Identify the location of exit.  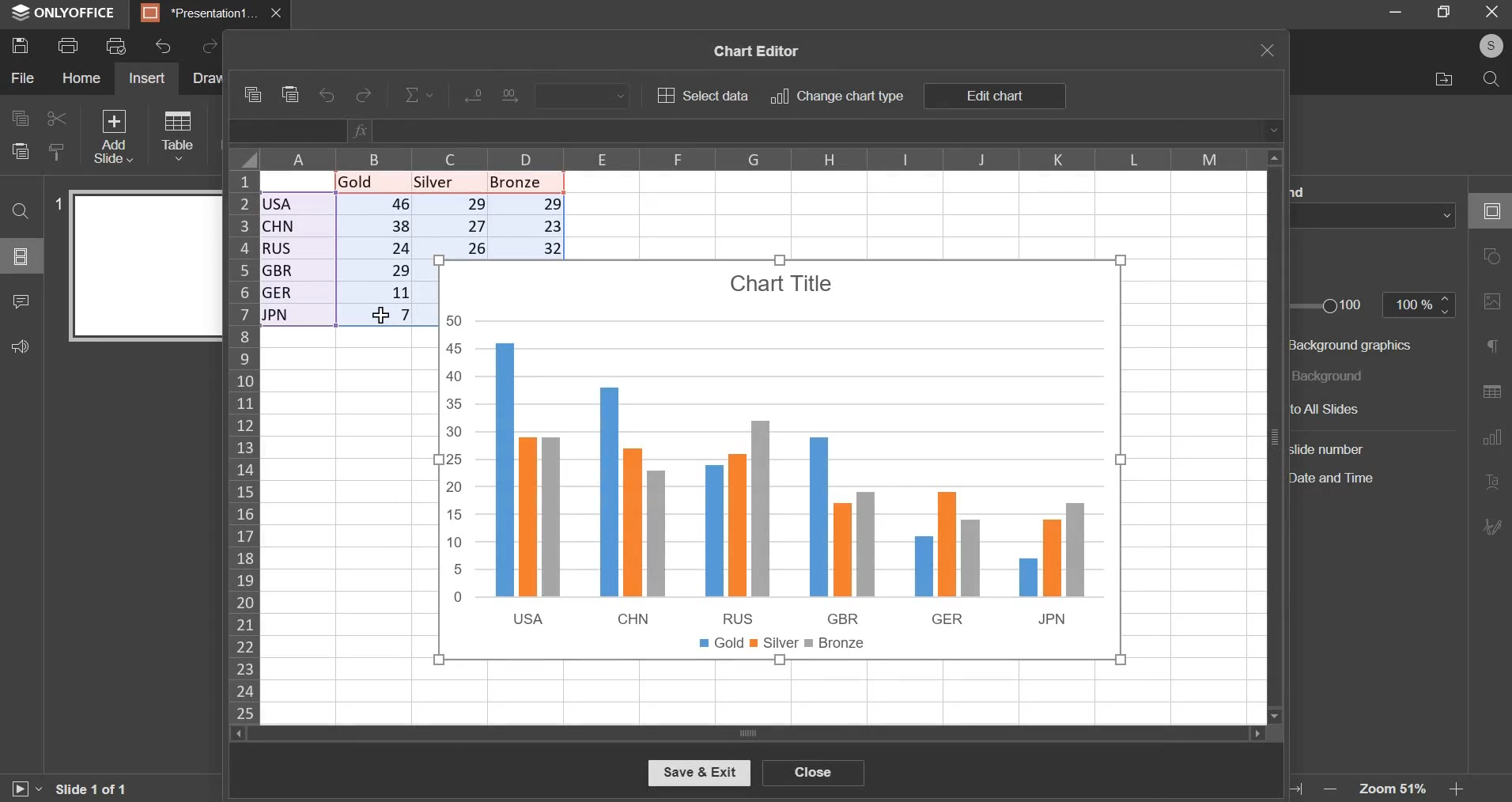
(1268, 50).